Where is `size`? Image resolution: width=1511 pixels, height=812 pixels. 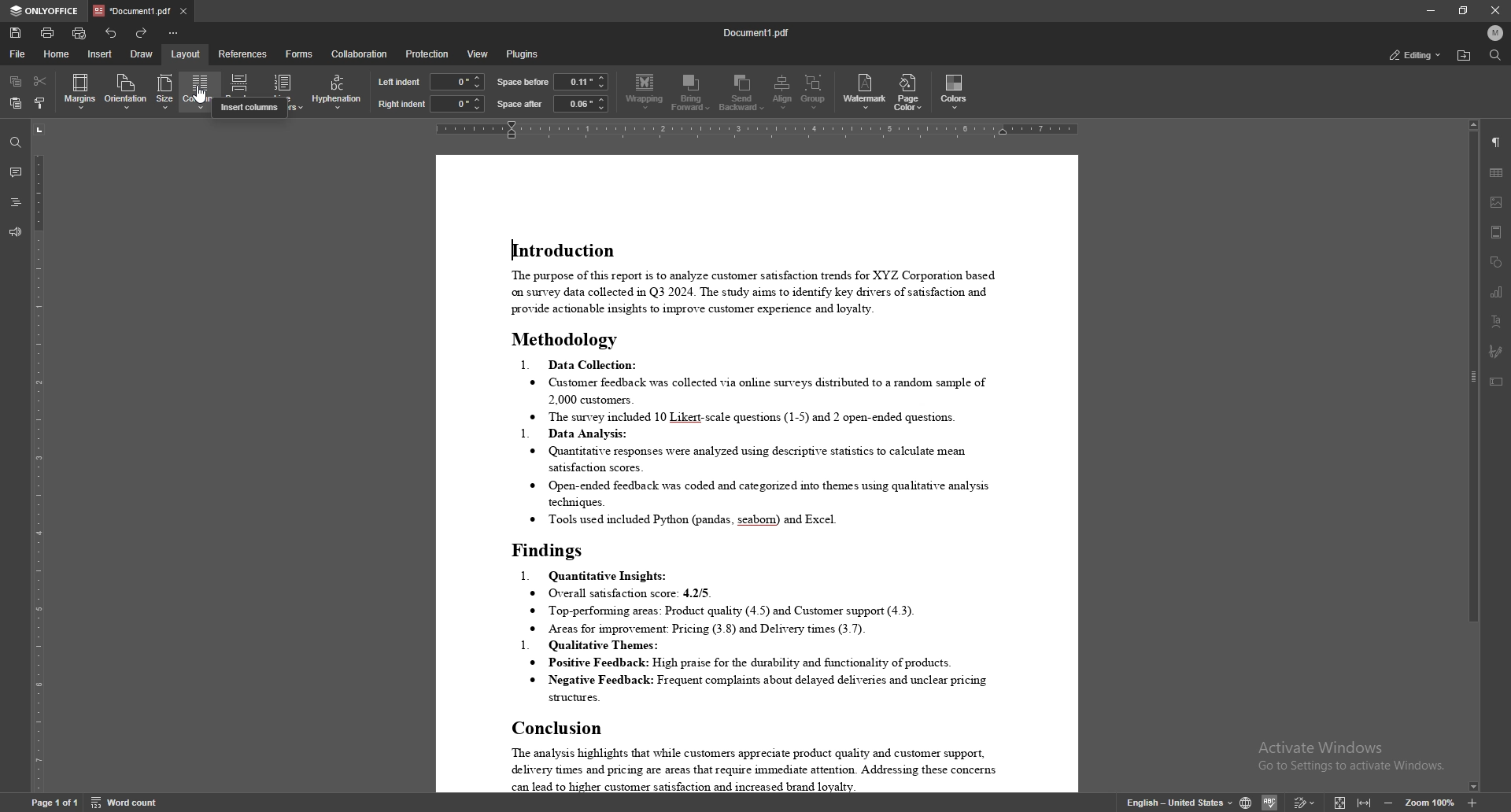 size is located at coordinates (166, 92).